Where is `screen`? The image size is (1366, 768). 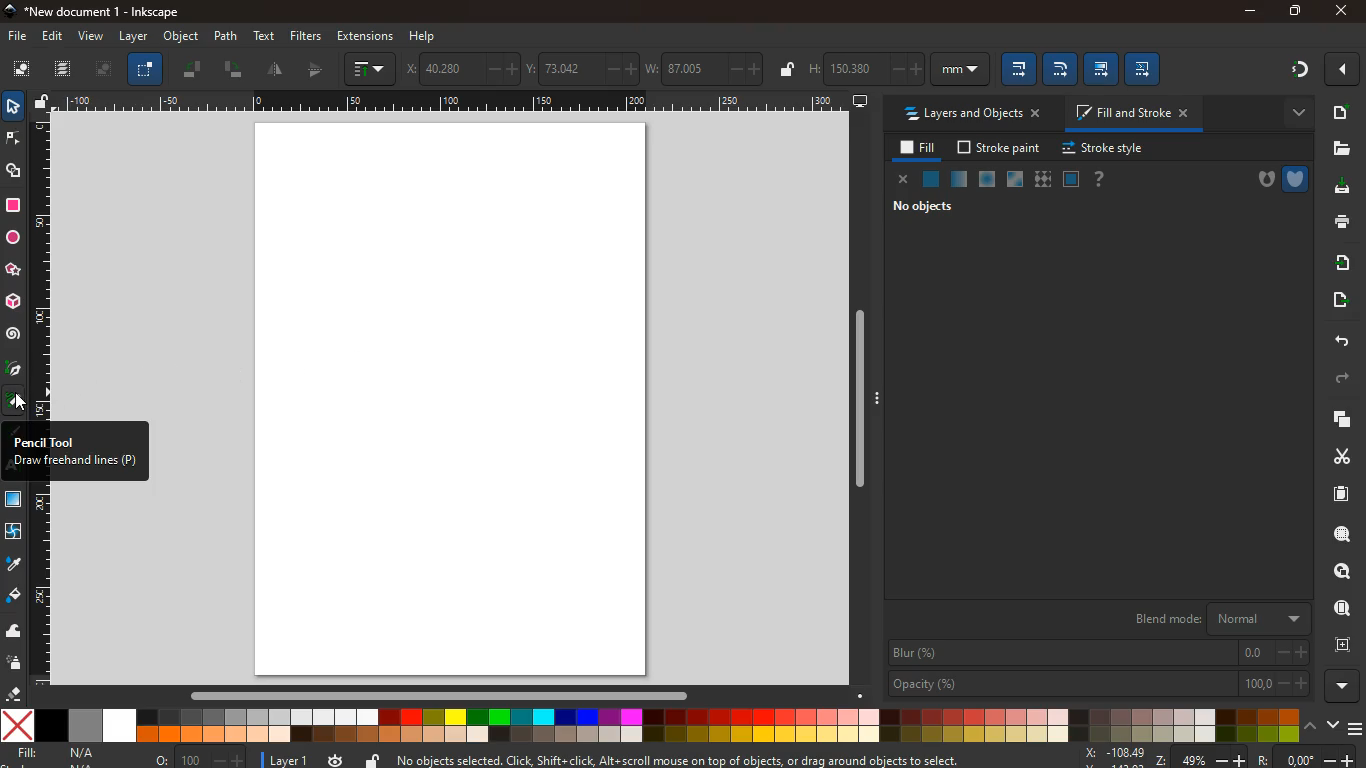 screen is located at coordinates (452, 399).